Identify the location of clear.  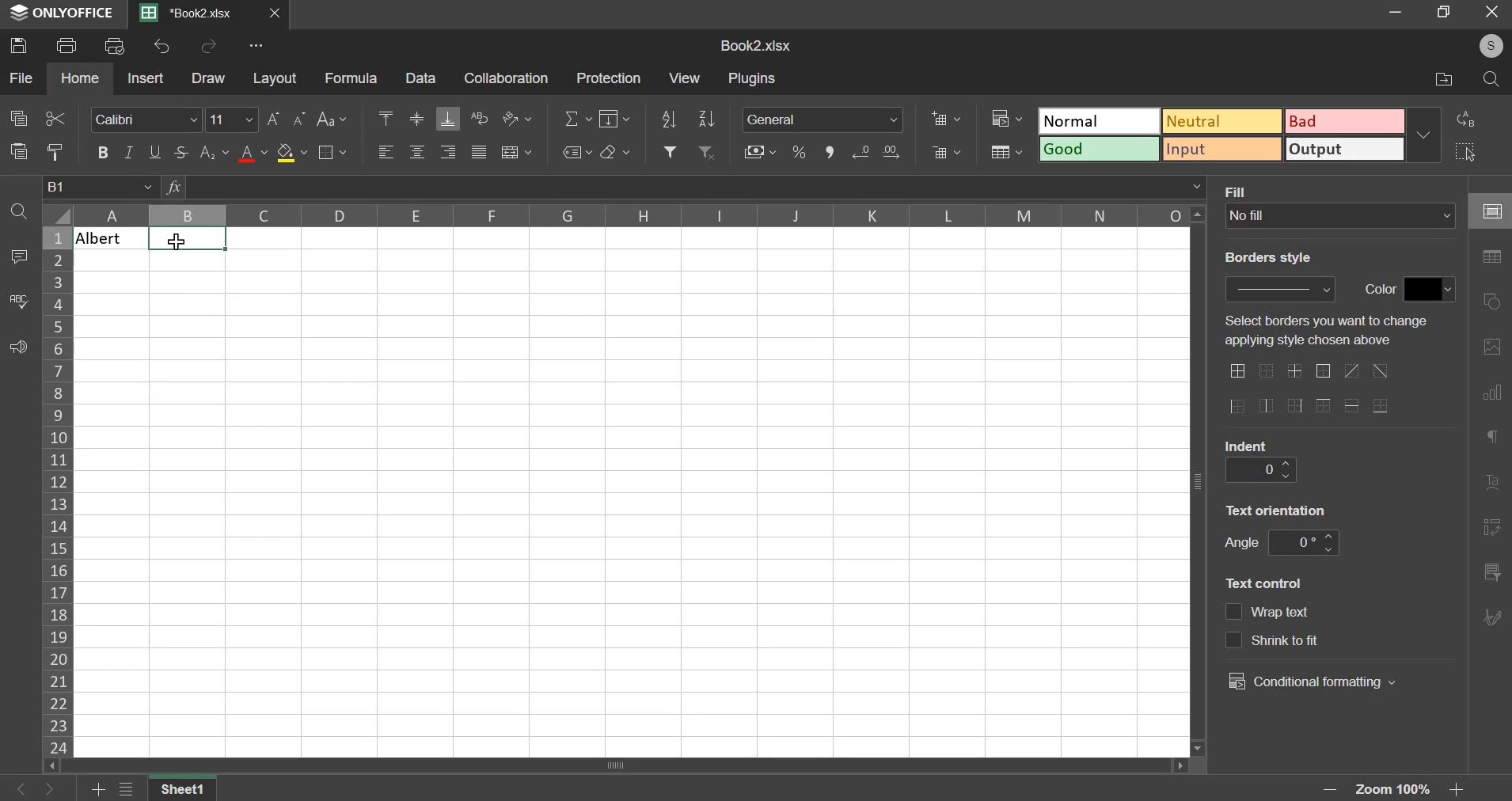
(615, 151).